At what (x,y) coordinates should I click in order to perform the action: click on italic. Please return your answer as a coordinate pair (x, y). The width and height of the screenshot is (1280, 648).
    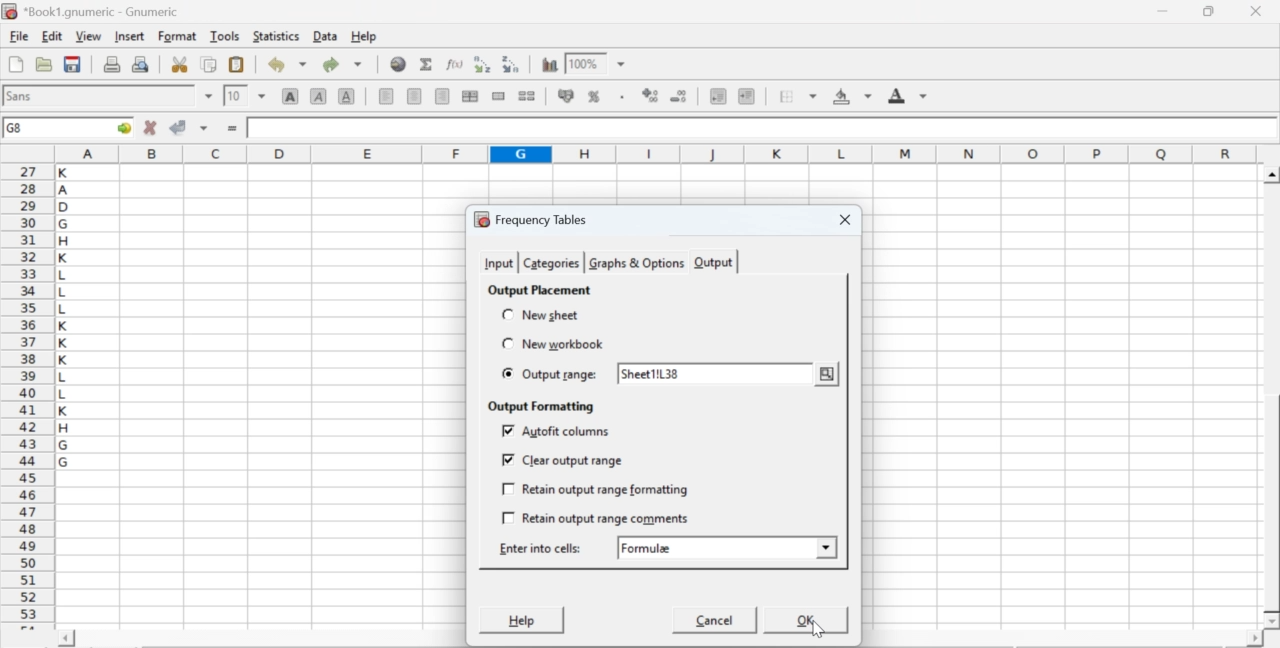
    Looking at the image, I should click on (320, 95).